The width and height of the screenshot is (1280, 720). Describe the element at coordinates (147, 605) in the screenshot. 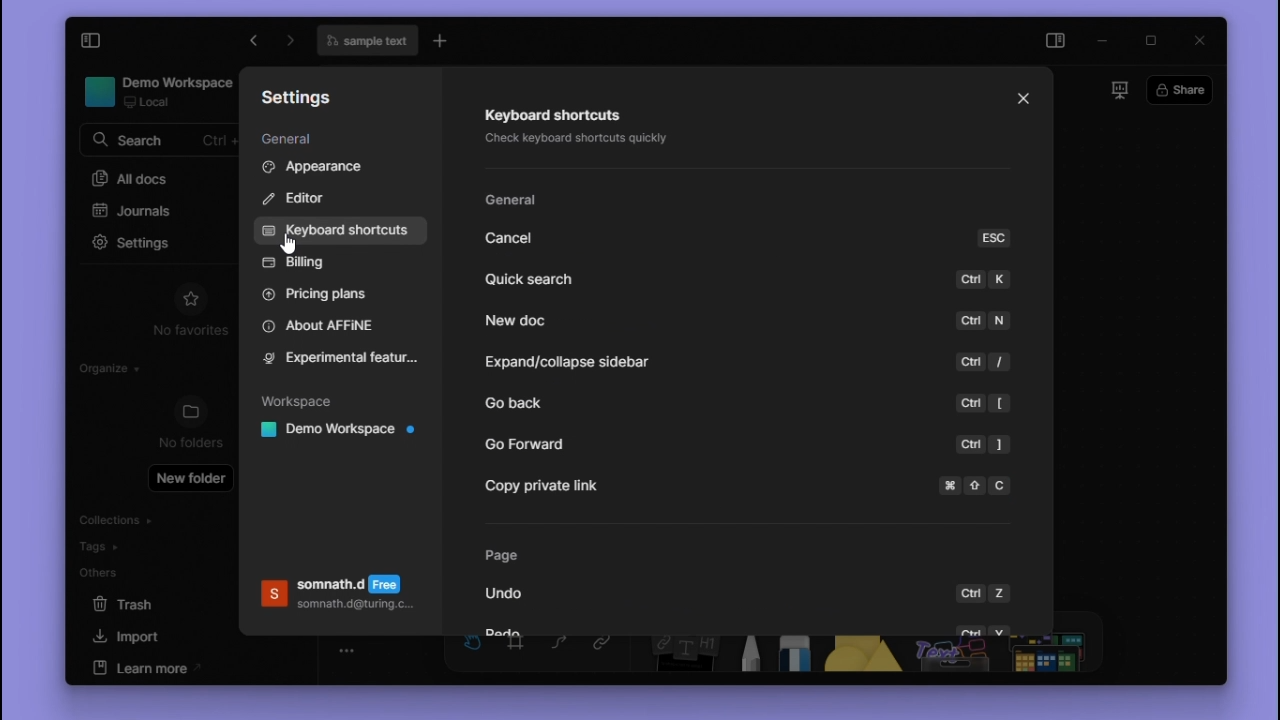

I see `` at that location.